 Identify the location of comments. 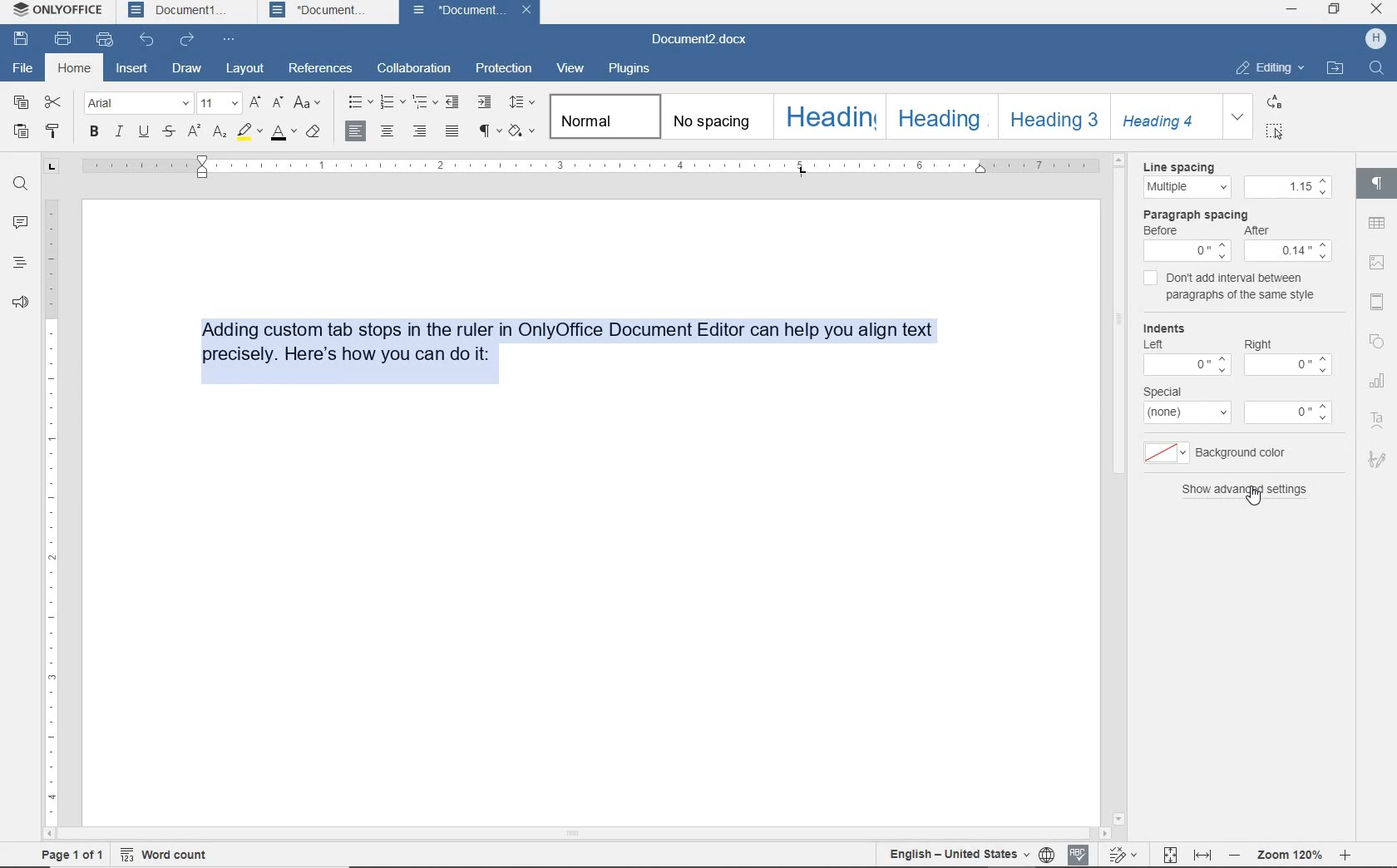
(18, 223).